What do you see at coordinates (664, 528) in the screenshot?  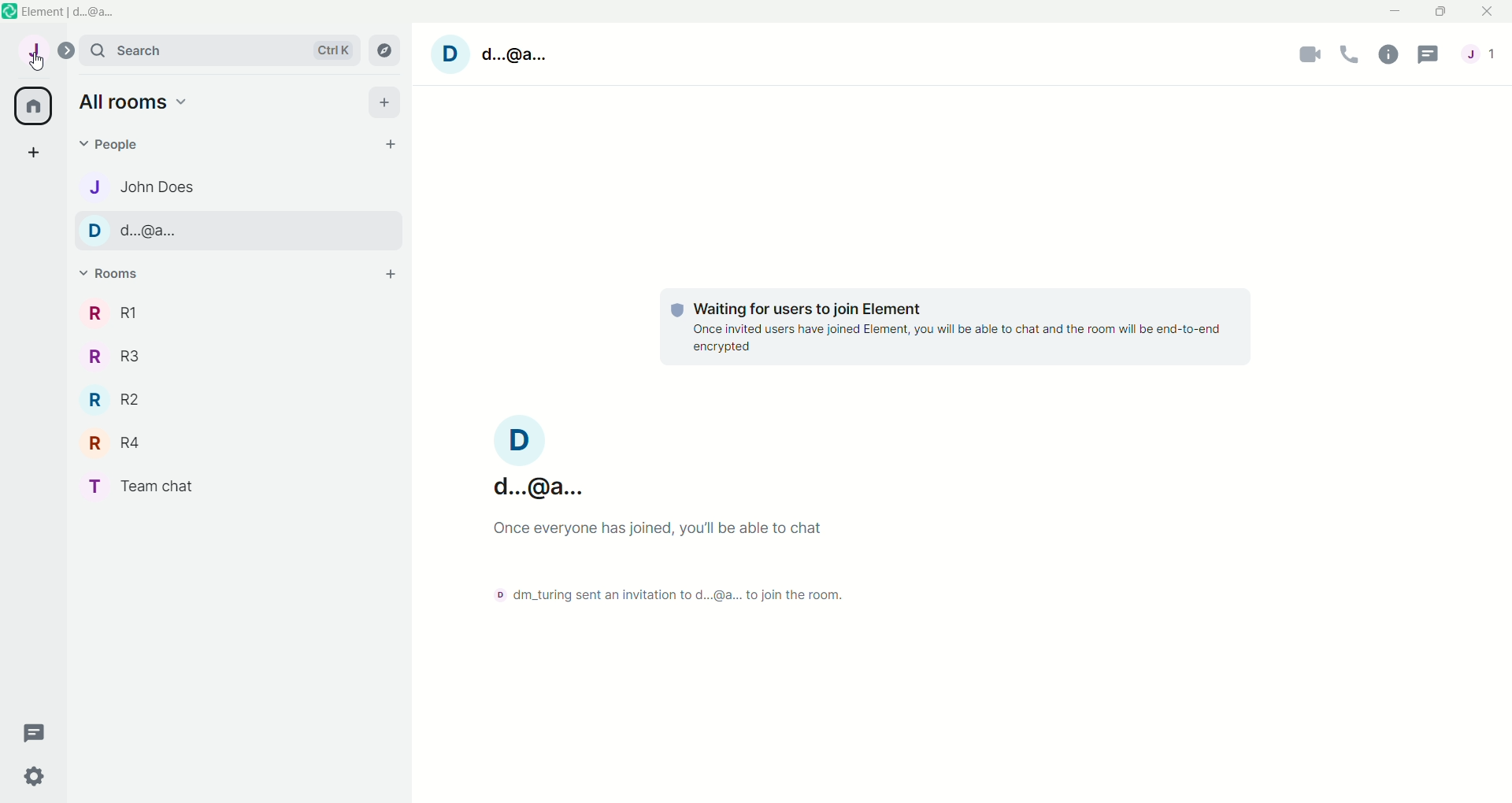 I see `Once everyone has joined, you'll be able to chat` at bounding box center [664, 528].